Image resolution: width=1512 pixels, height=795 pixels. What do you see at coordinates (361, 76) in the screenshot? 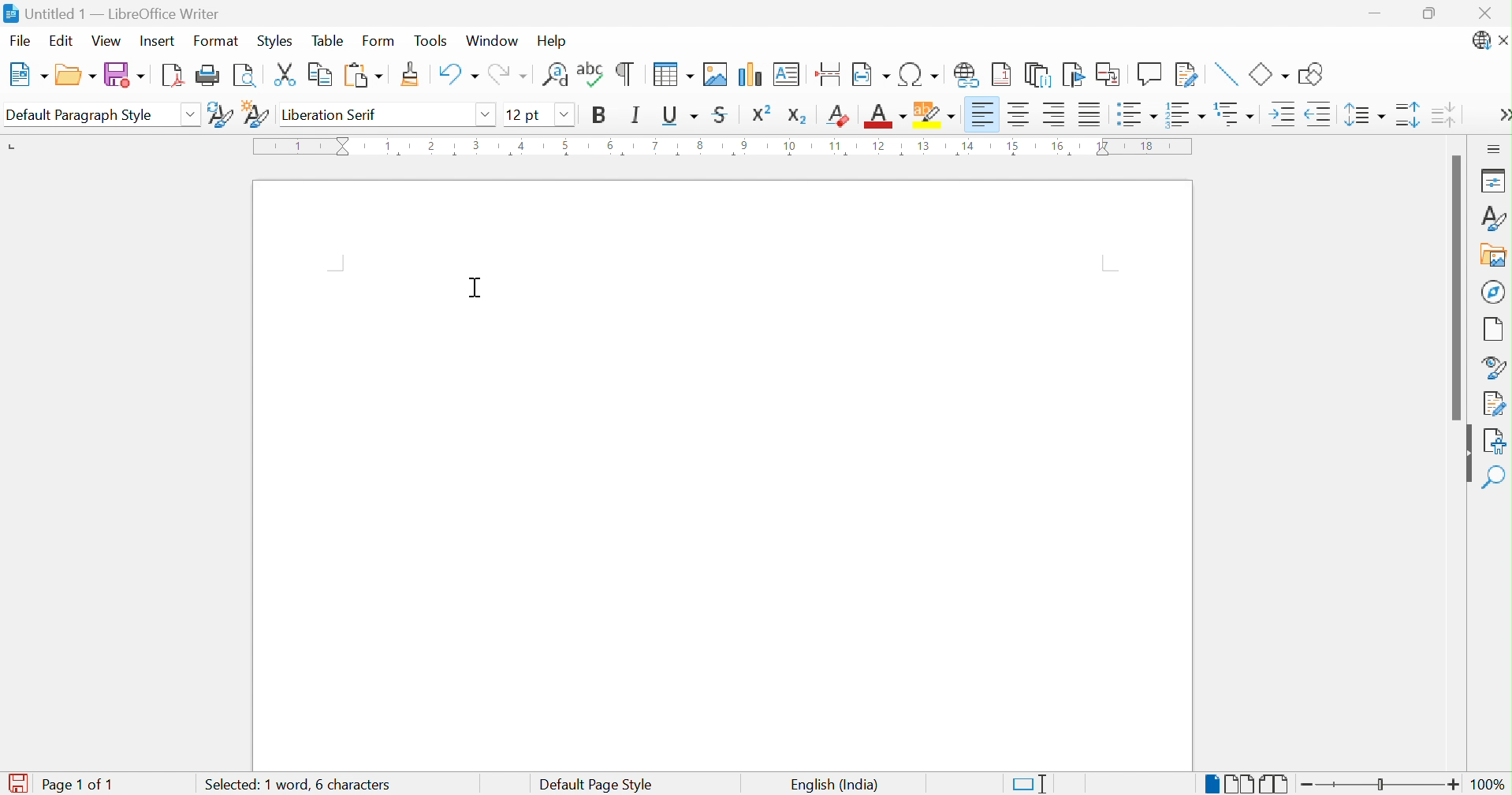
I see `Paste` at bounding box center [361, 76].